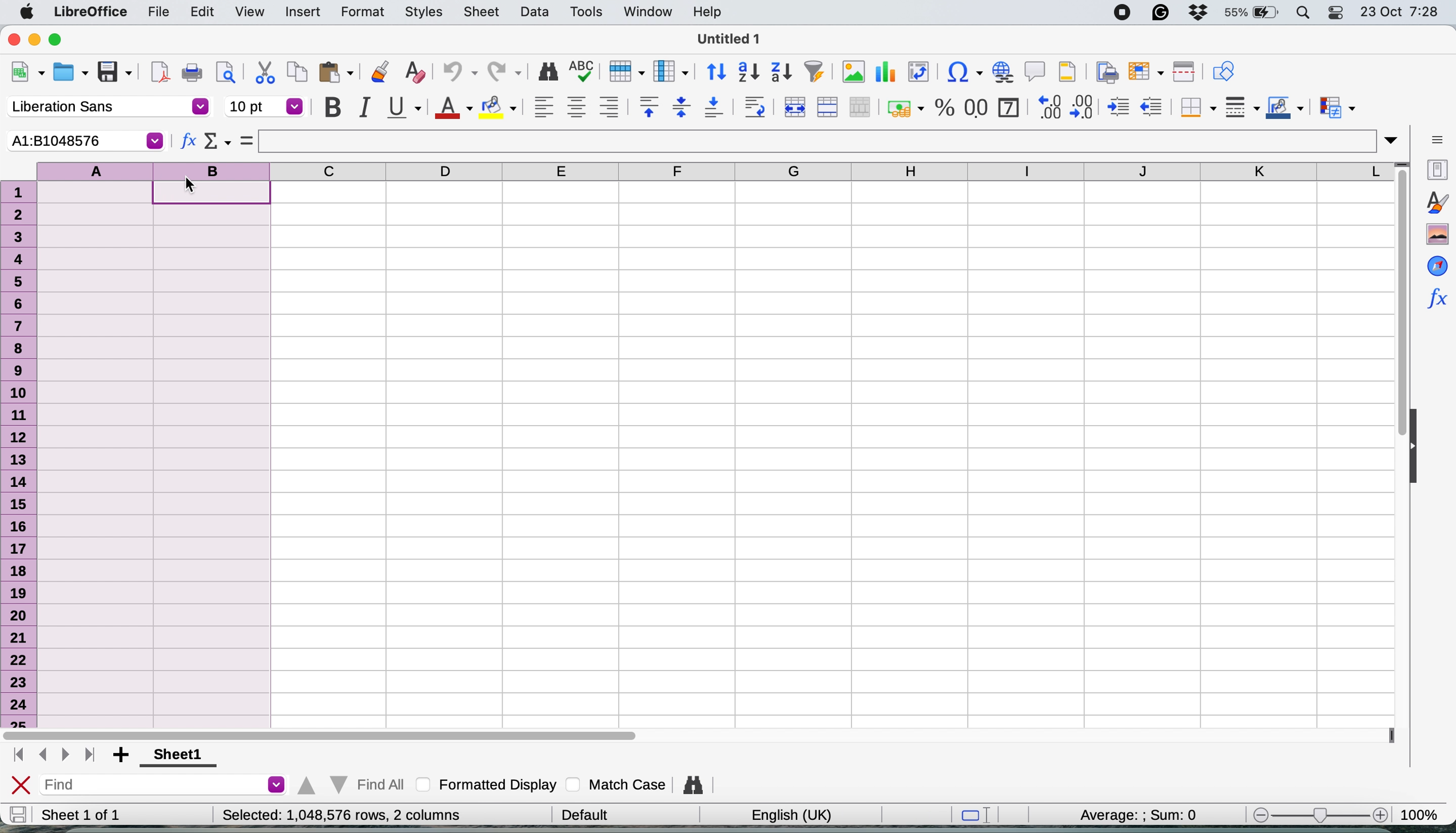  I want to click on untitled 1, so click(730, 41).